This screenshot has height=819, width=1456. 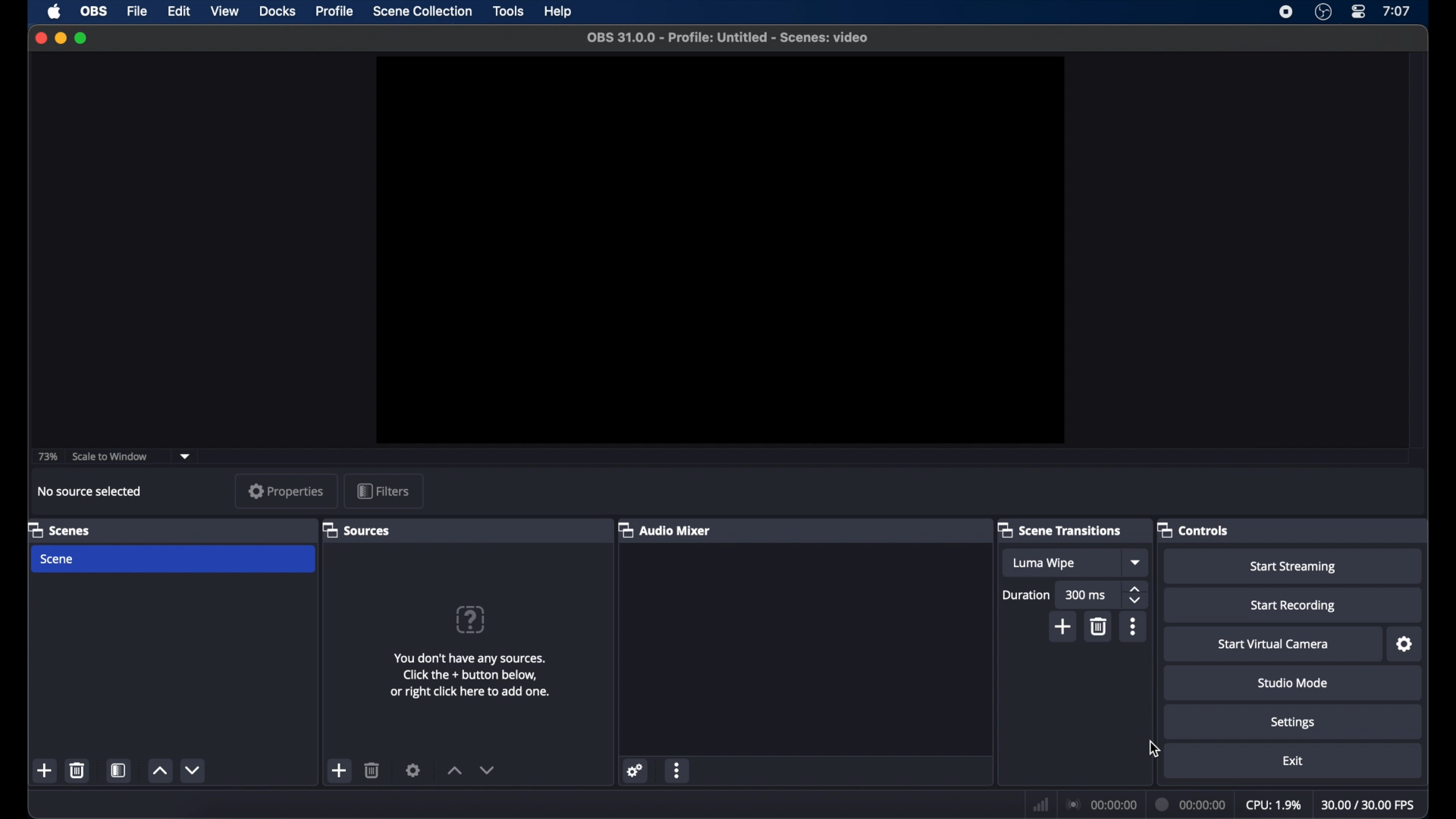 What do you see at coordinates (1294, 683) in the screenshot?
I see `studio mode` at bounding box center [1294, 683].